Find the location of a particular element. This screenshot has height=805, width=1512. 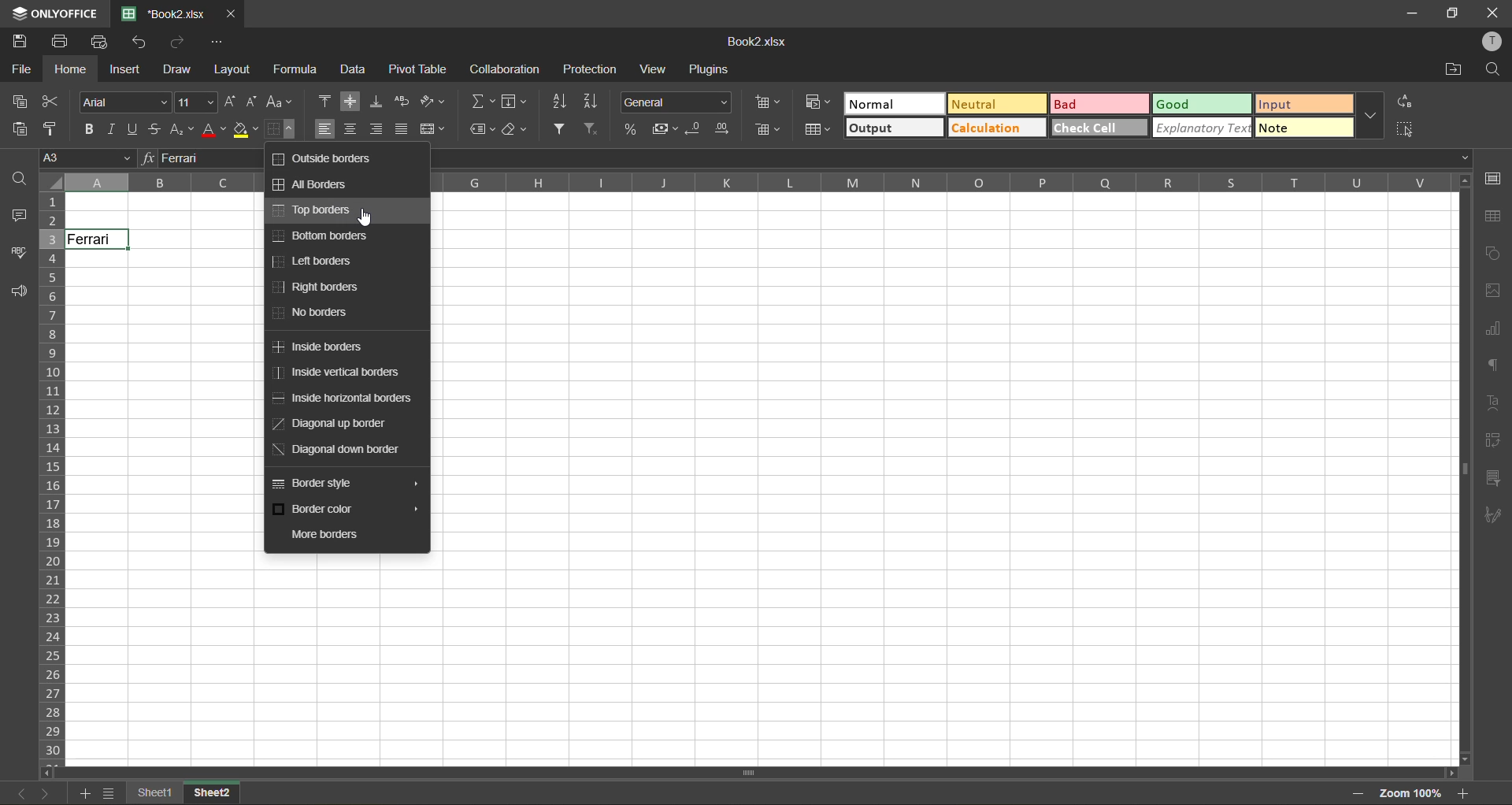

outside borders is located at coordinates (325, 158).